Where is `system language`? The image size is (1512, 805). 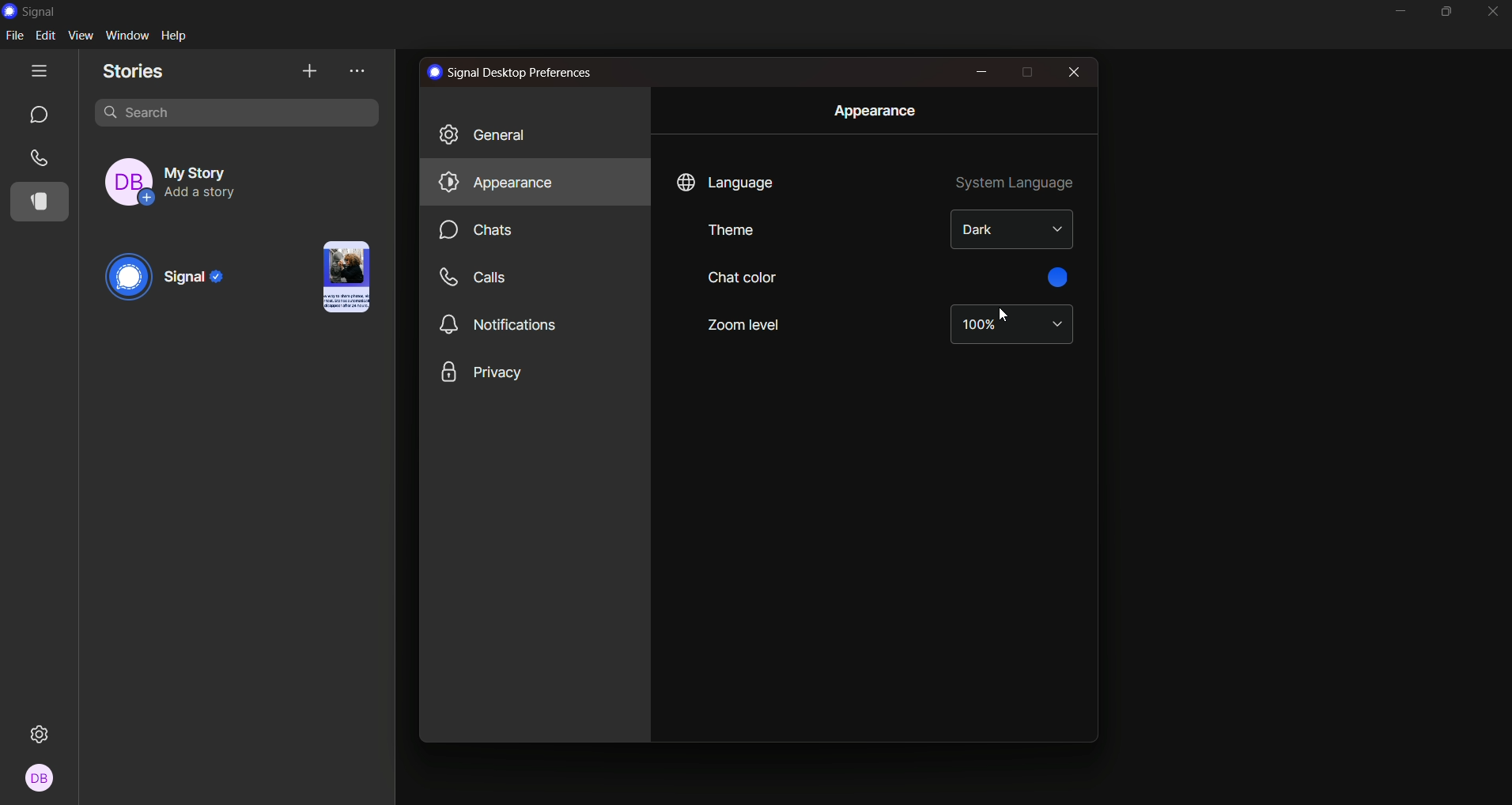
system language is located at coordinates (1017, 184).